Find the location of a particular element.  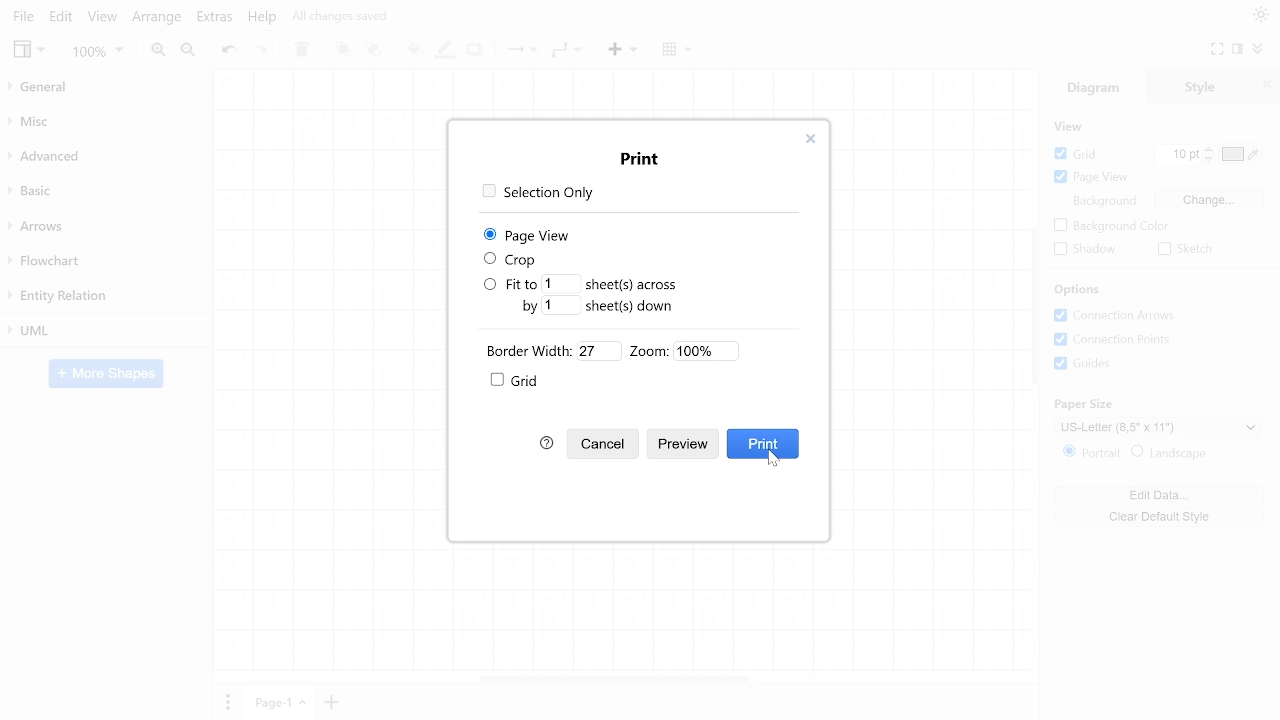

Help is located at coordinates (546, 444).